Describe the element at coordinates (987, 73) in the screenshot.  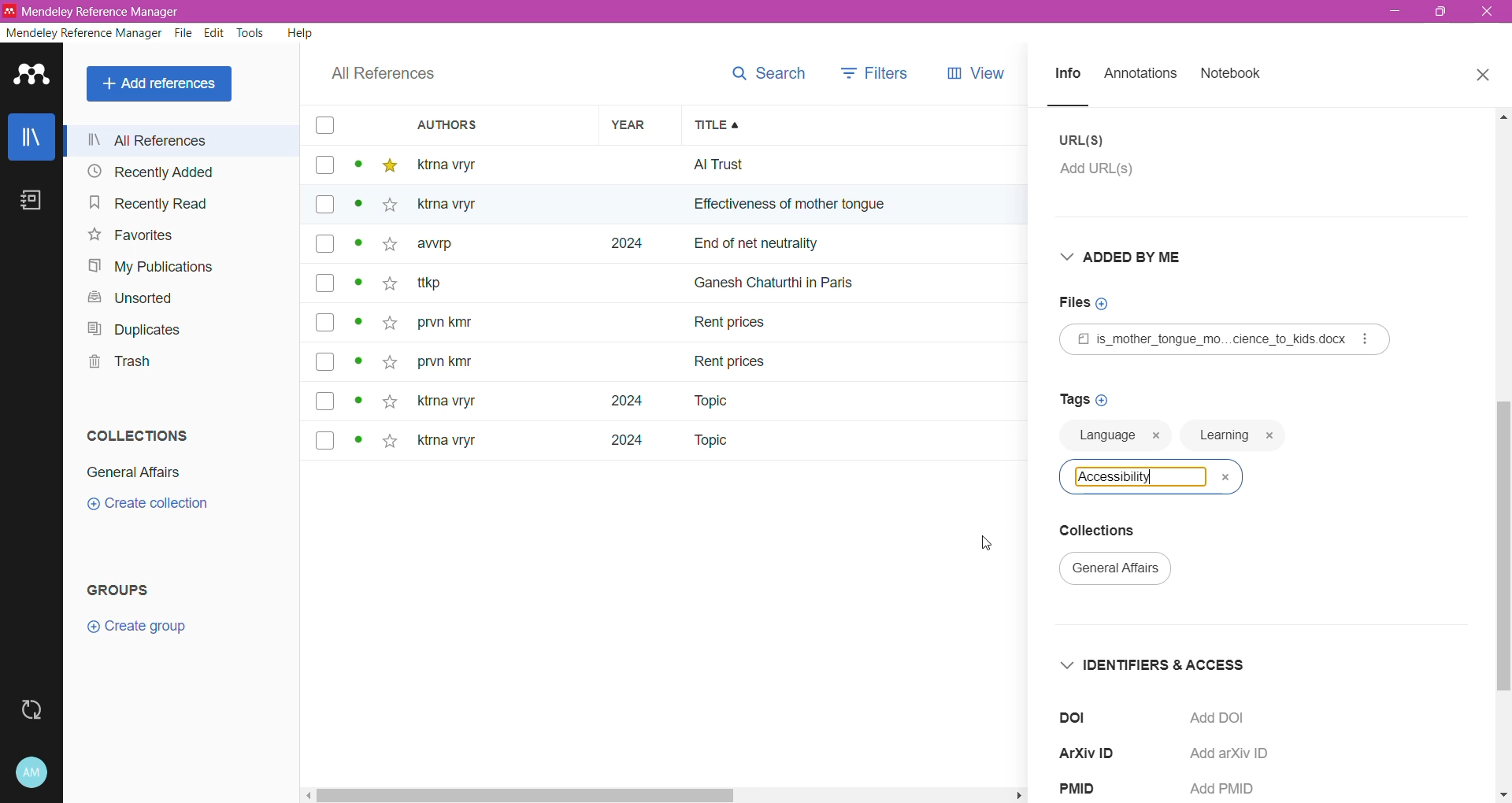
I see `views ` at that location.